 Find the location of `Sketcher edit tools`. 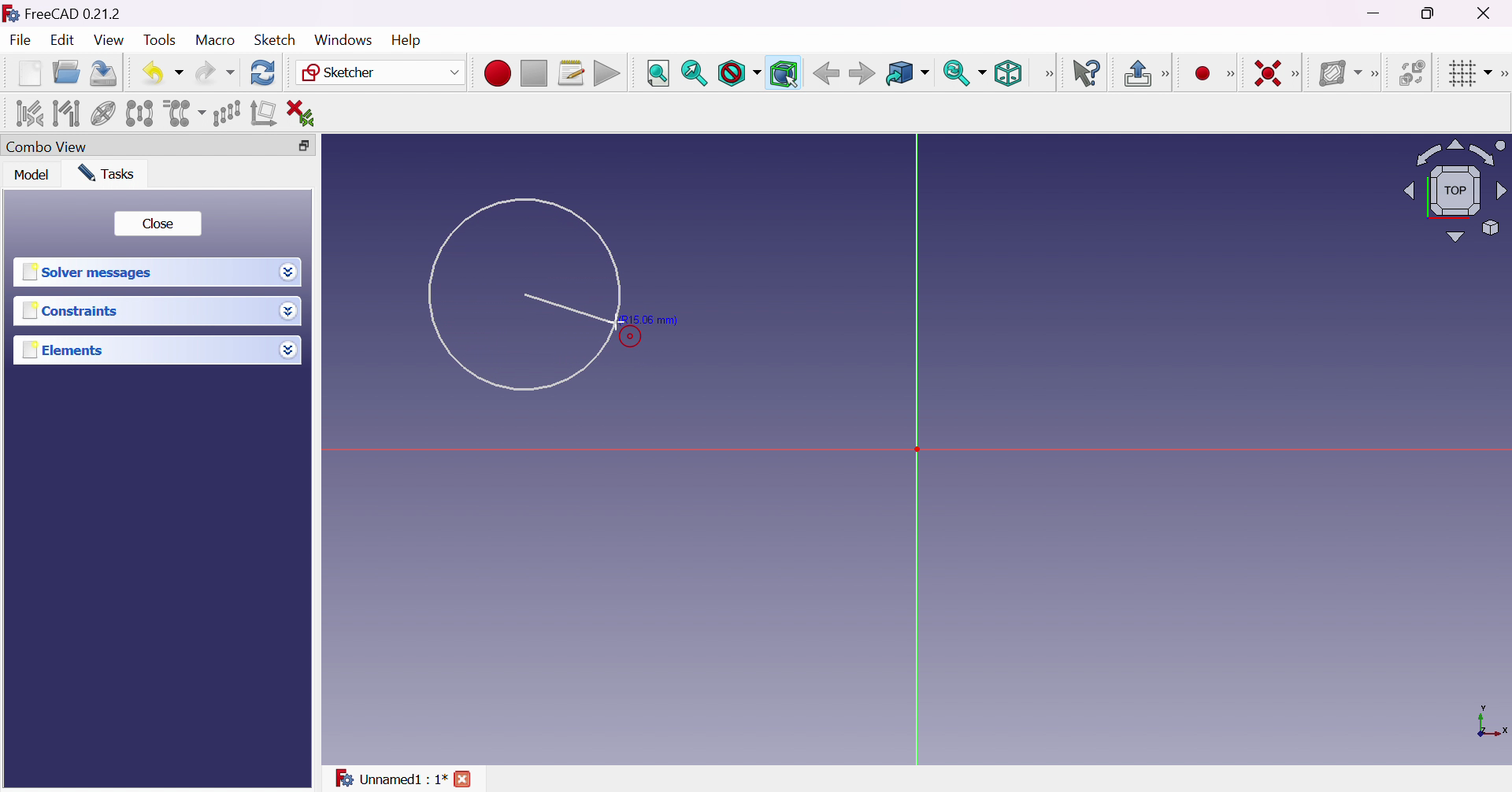

Sketcher edit tools is located at coordinates (1503, 74).